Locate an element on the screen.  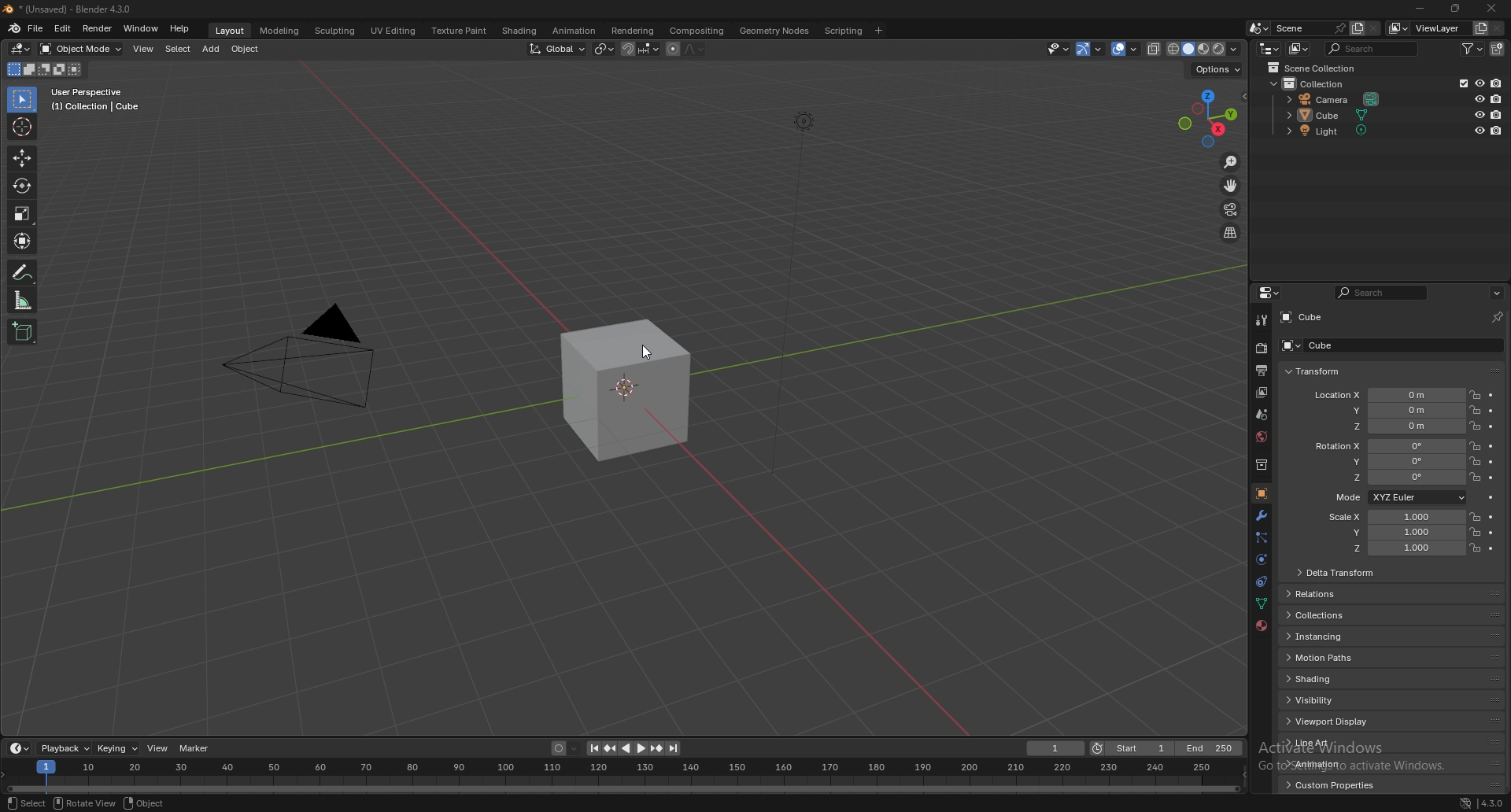
physics is located at coordinates (1260, 583).